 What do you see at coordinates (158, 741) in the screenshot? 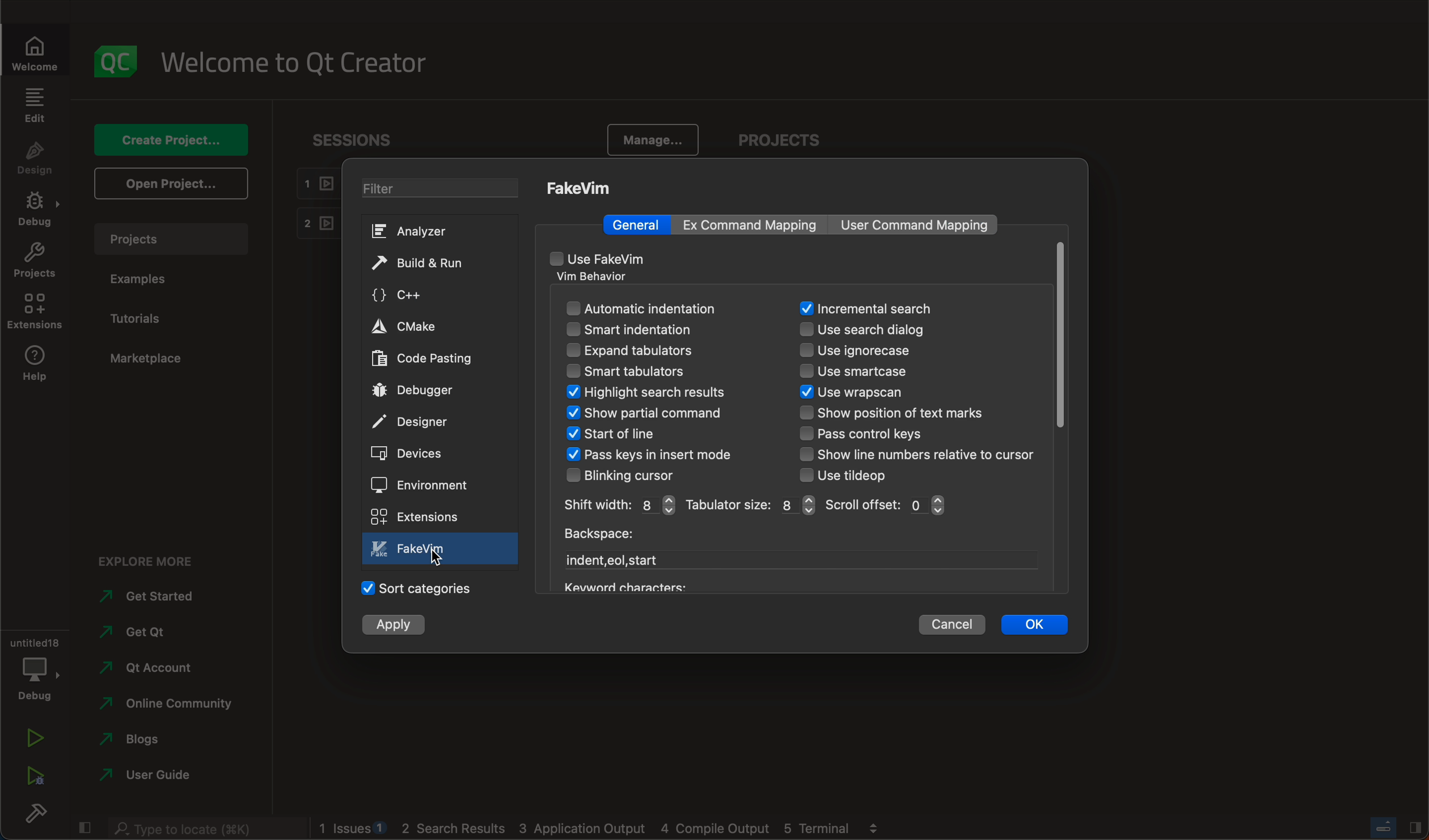
I see `blogs` at bounding box center [158, 741].